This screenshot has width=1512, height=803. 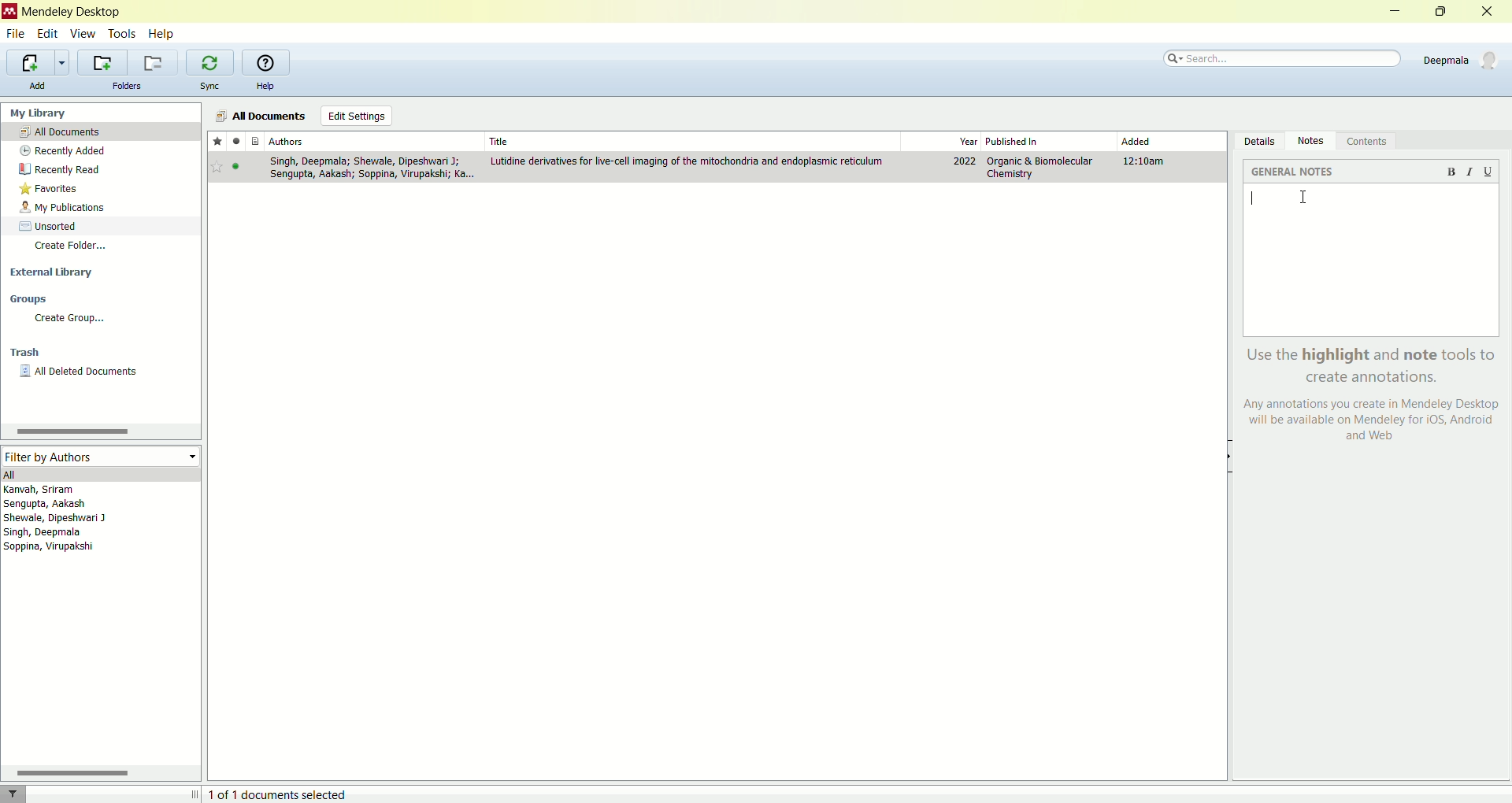 What do you see at coordinates (689, 139) in the screenshot?
I see `Title` at bounding box center [689, 139].